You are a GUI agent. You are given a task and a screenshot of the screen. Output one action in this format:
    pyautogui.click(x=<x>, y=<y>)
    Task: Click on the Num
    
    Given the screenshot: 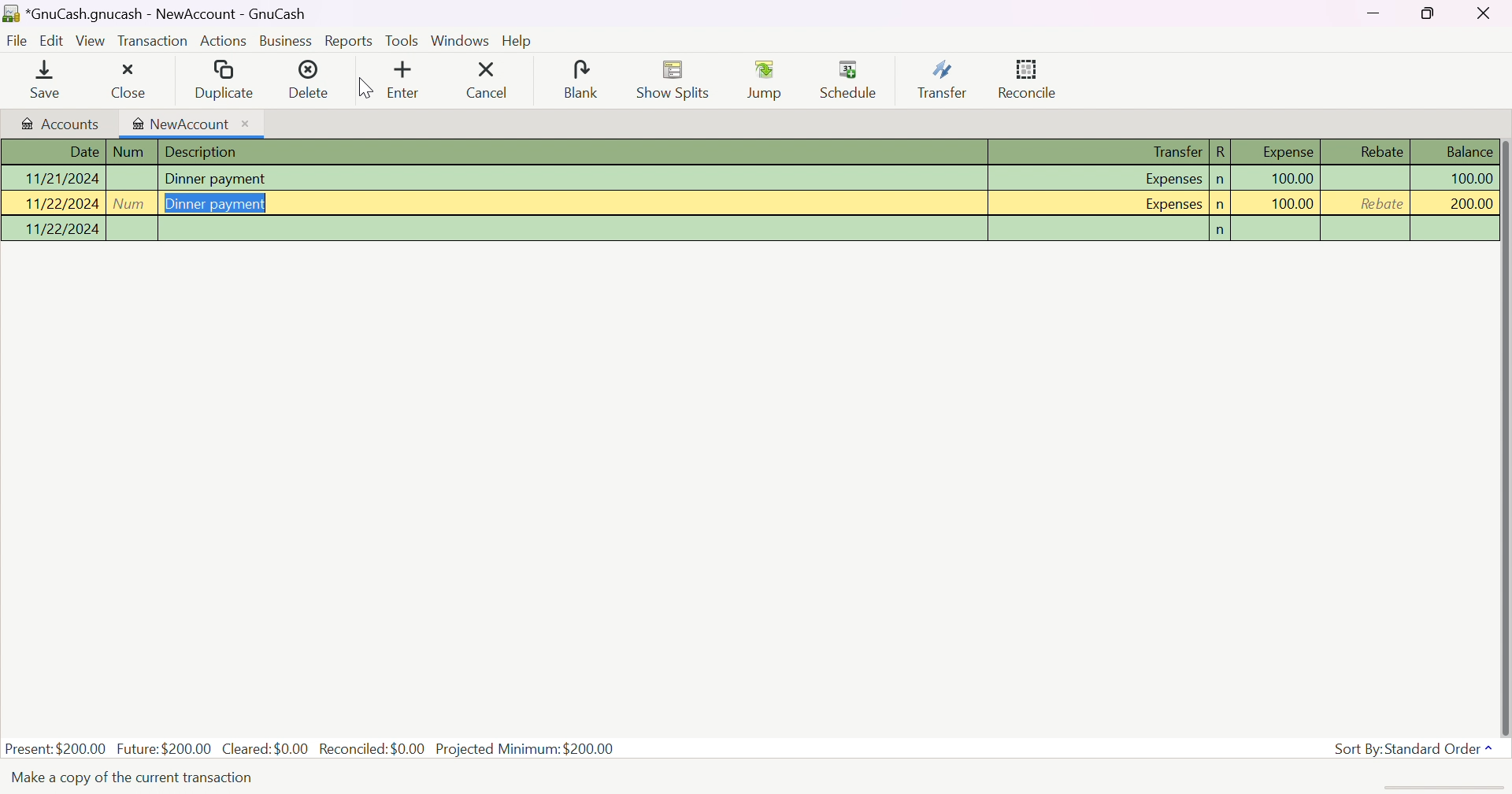 What is the action you would take?
    pyautogui.click(x=131, y=205)
    